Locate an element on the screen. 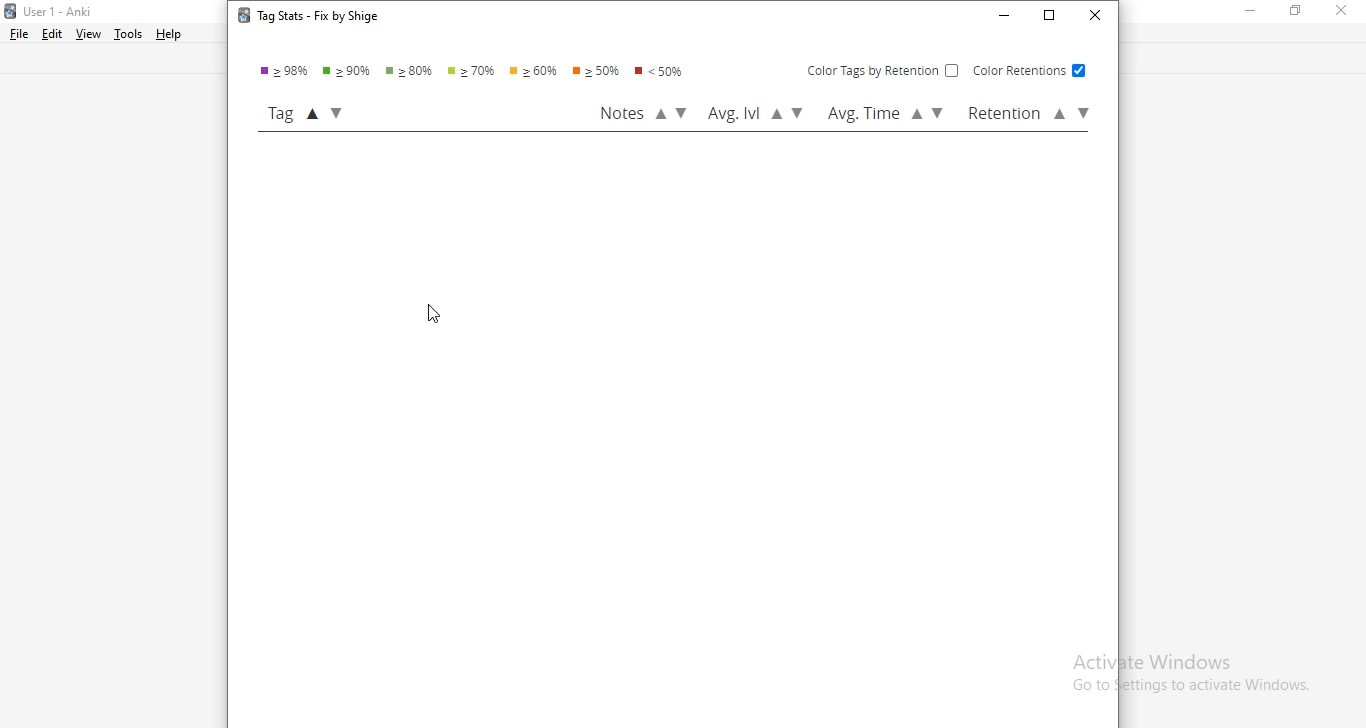 The height and width of the screenshot is (728, 1366). file is located at coordinates (20, 32).